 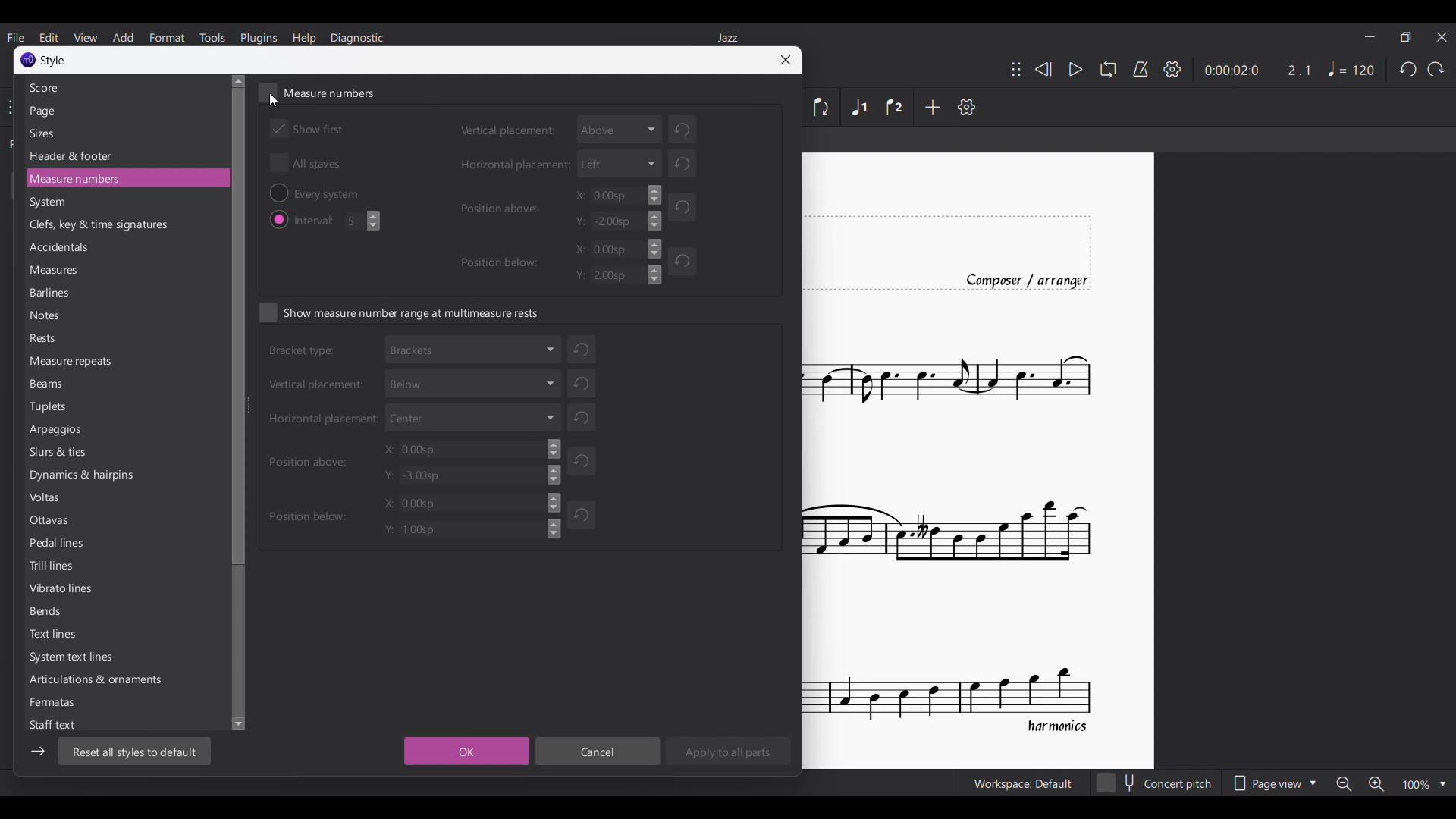 What do you see at coordinates (727, 37) in the screenshot?
I see `Current score title` at bounding box center [727, 37].